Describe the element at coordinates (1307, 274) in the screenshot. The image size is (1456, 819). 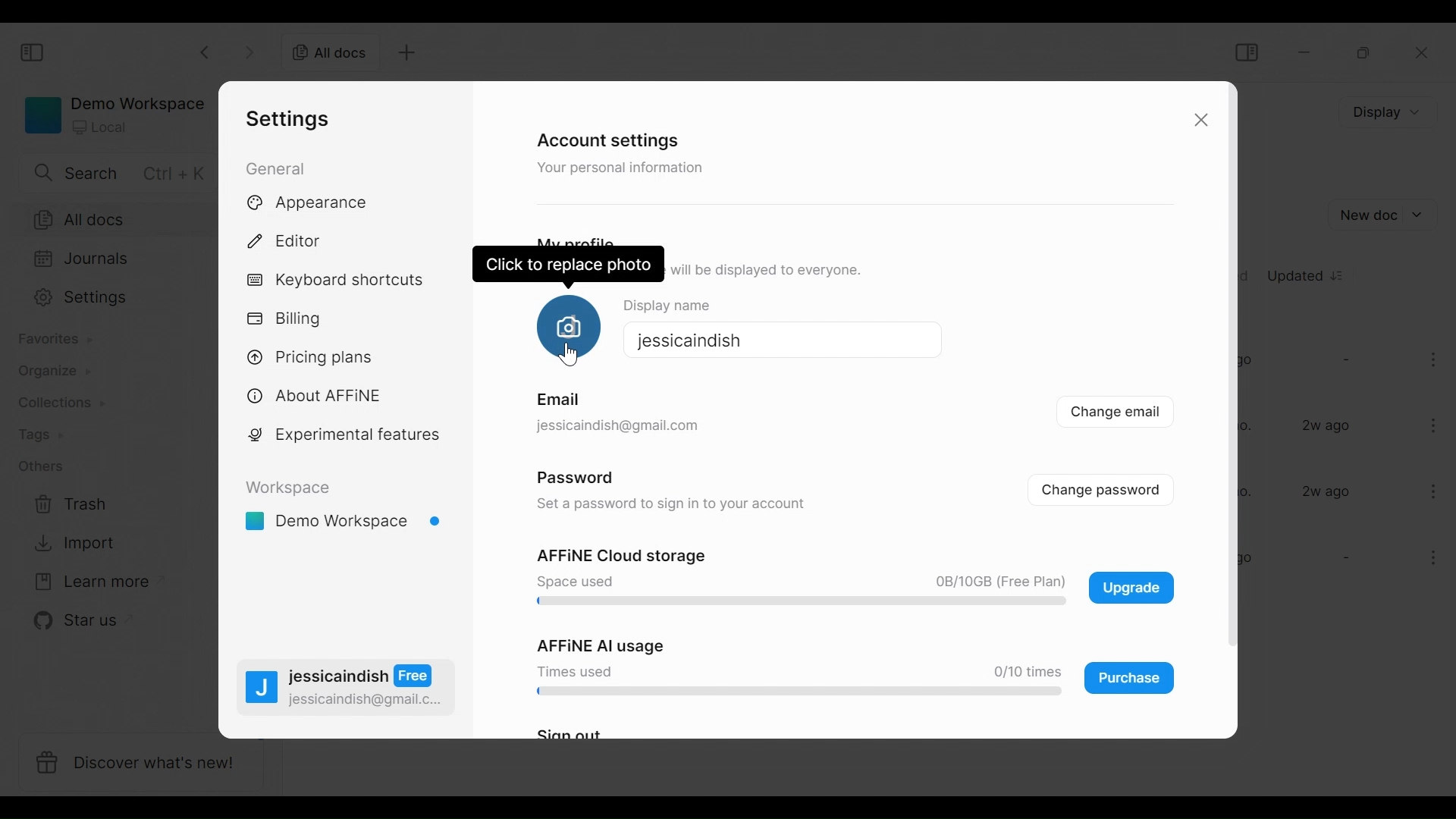
I see `Updated` at that location.